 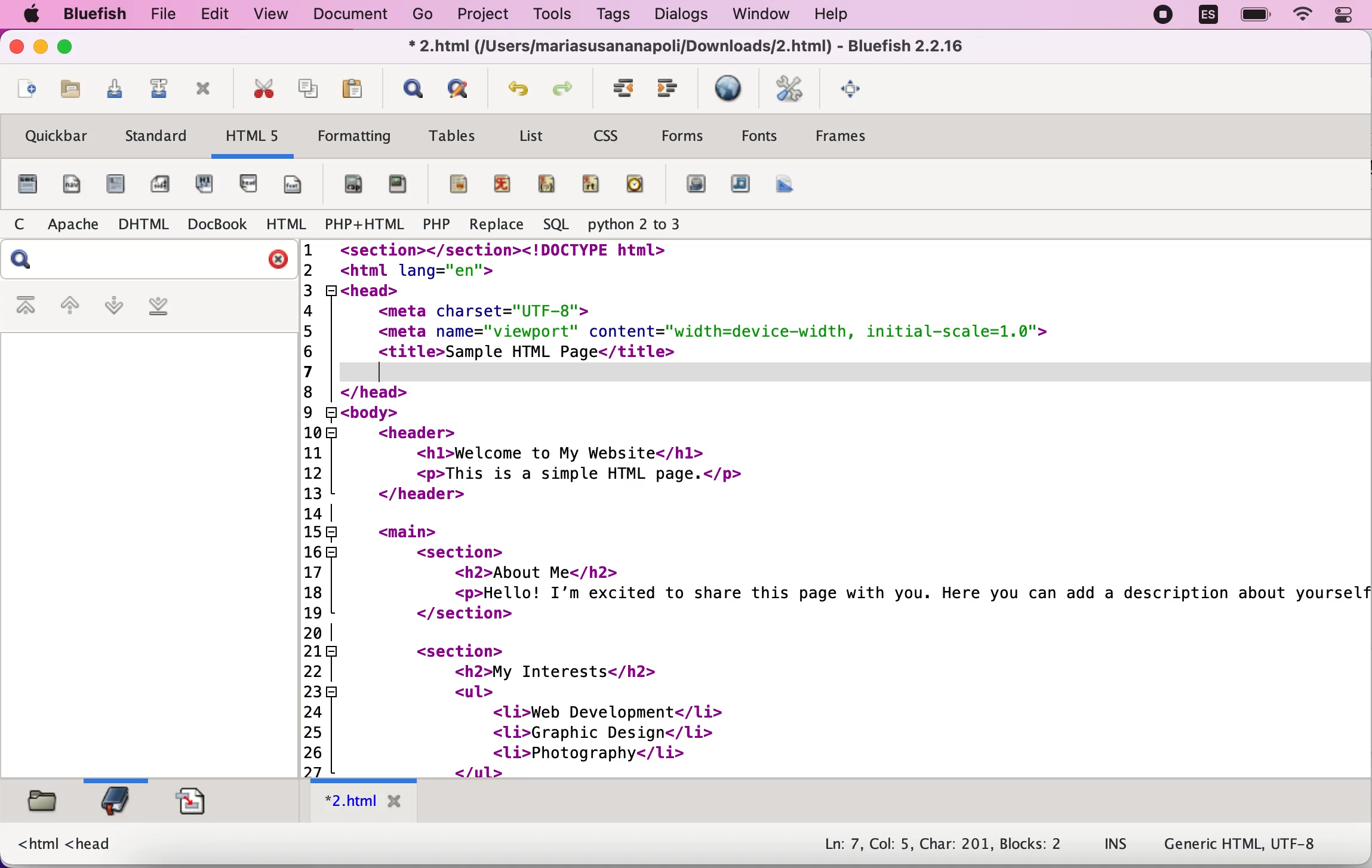 What do you see at coordinates (275, 15) in the screenshot?
I see `view` at bounding box center [275, 15].